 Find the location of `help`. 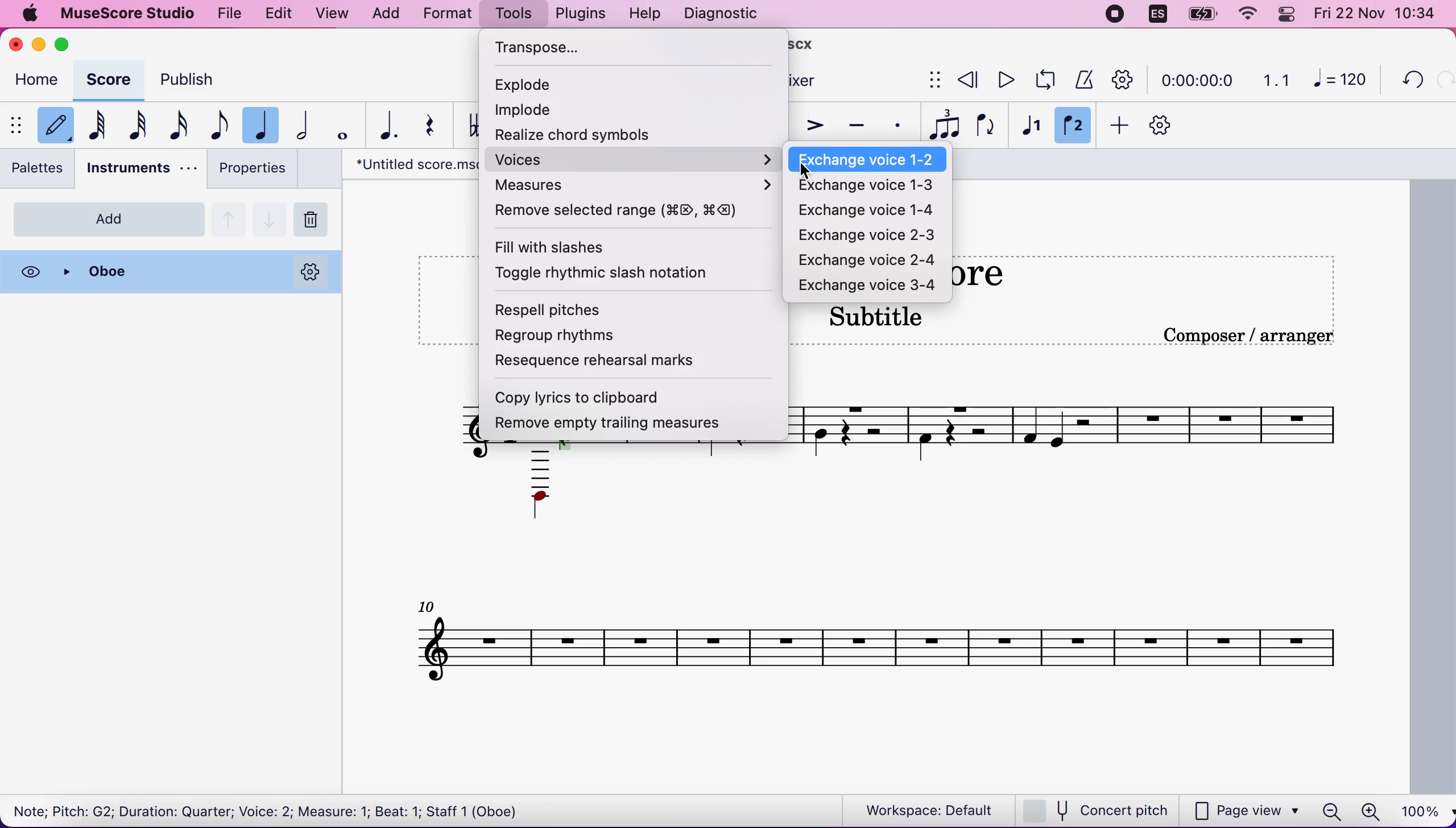

help is located at coordinates (647, 13).